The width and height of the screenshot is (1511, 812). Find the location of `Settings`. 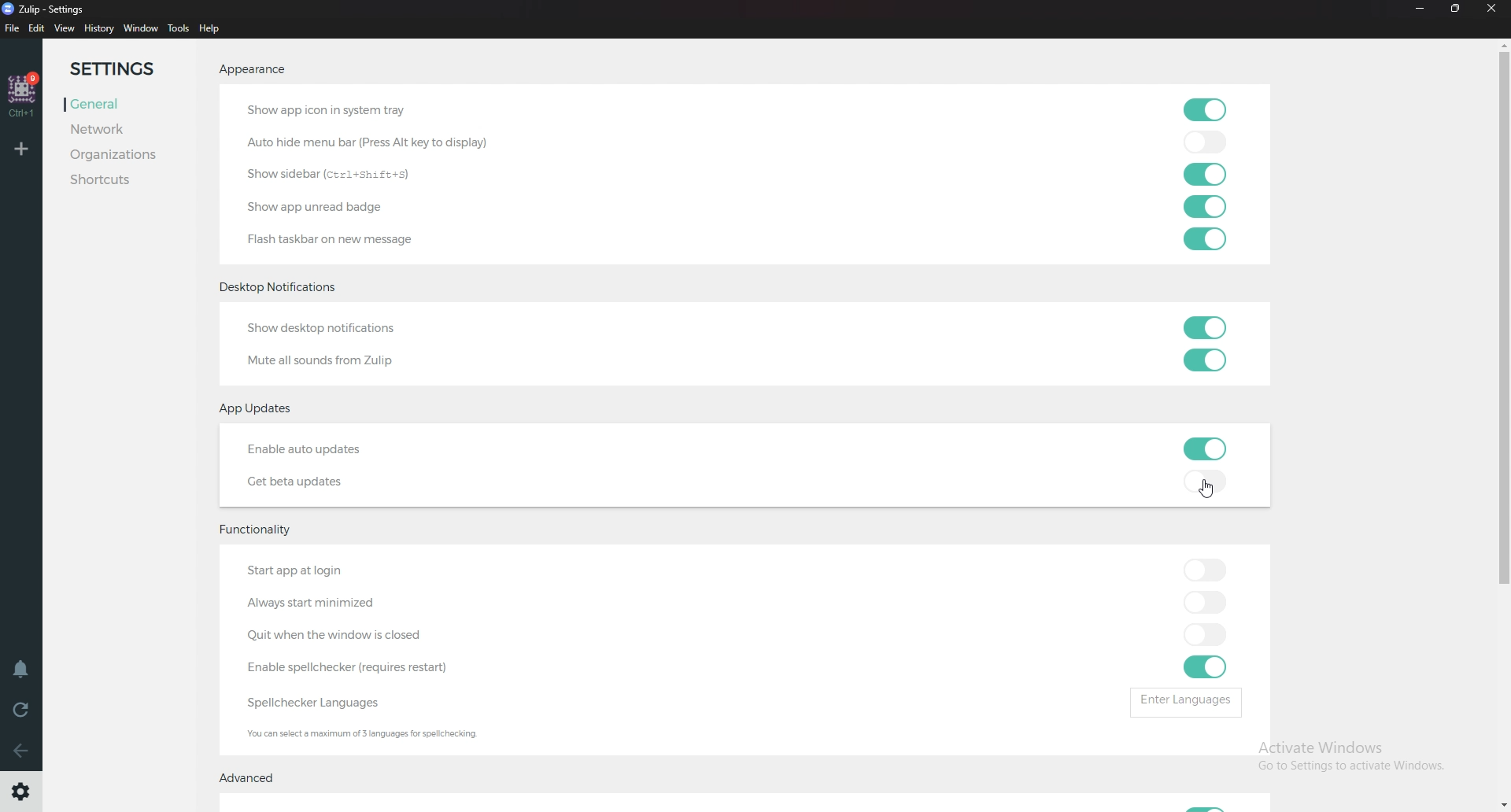

Settings is located at coordinates (130, 65).